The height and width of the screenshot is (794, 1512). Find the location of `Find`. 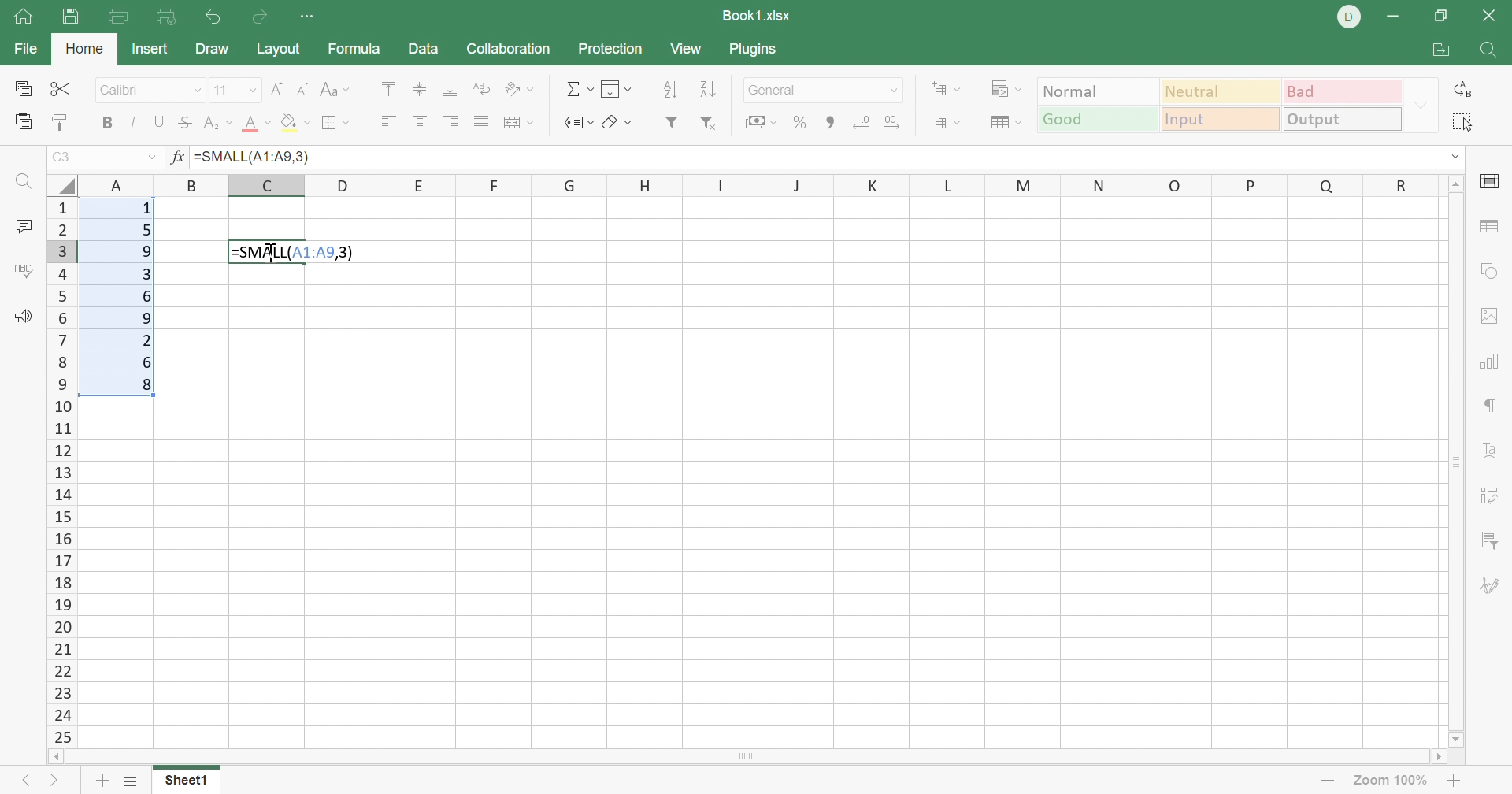

Find is located at coordinates (26, 181).